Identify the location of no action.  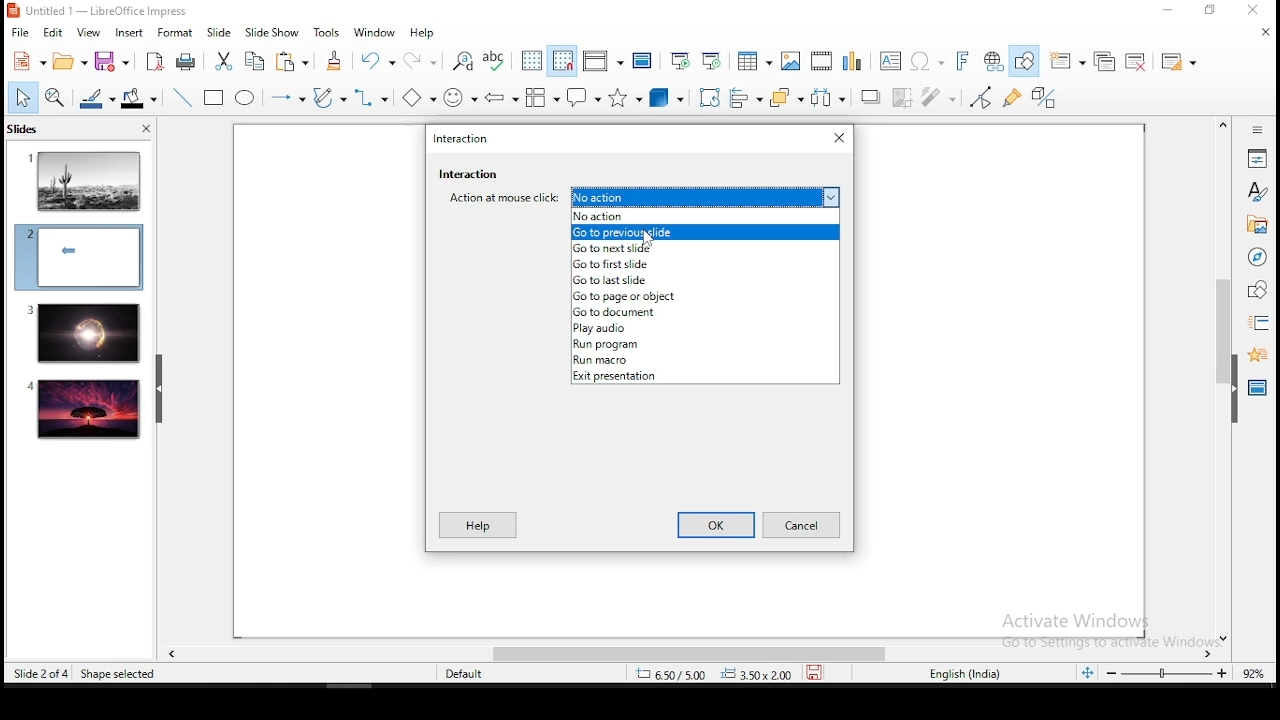
(704, 216).